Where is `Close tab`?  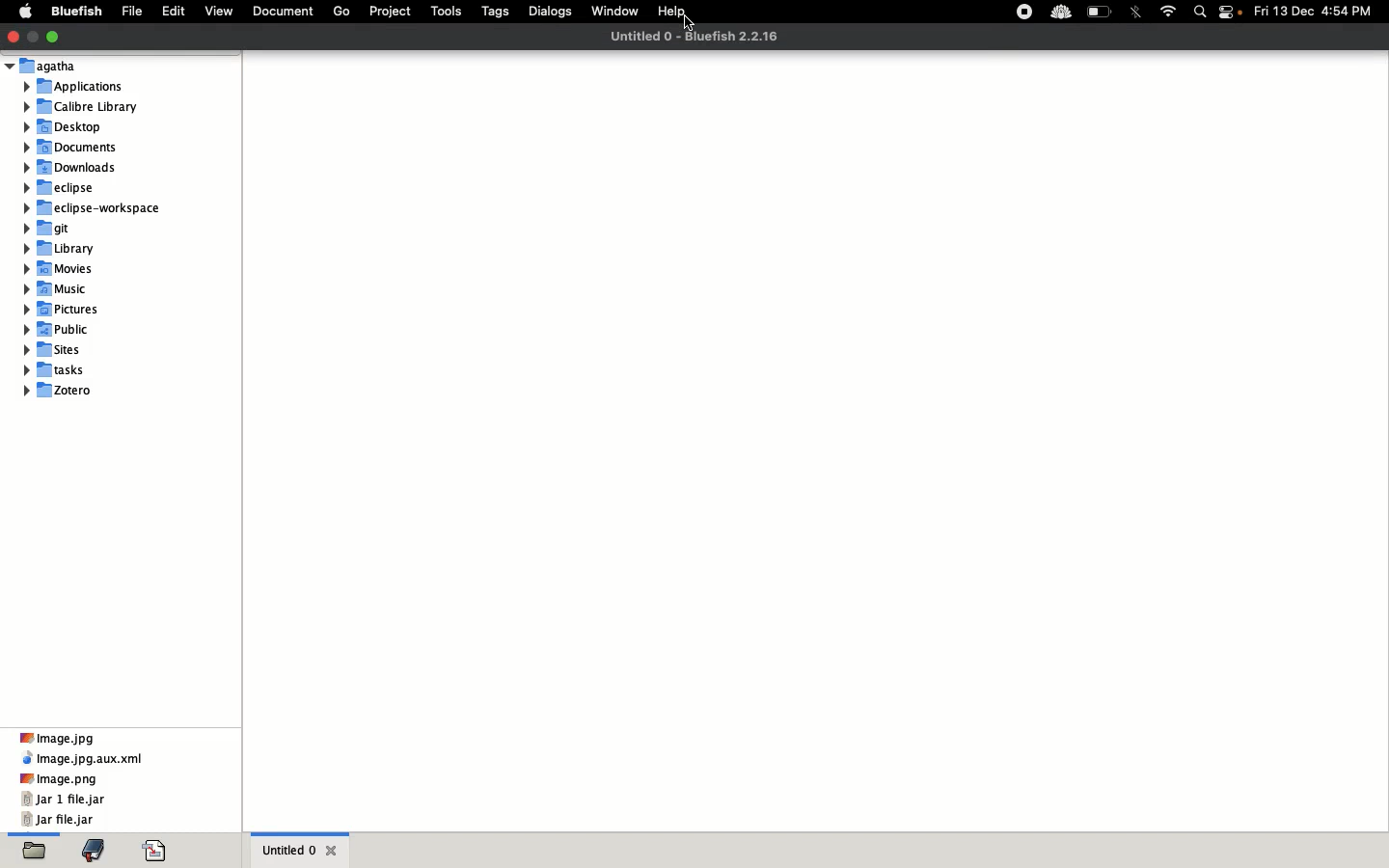
Close tab is located at coordinates (333, 851).